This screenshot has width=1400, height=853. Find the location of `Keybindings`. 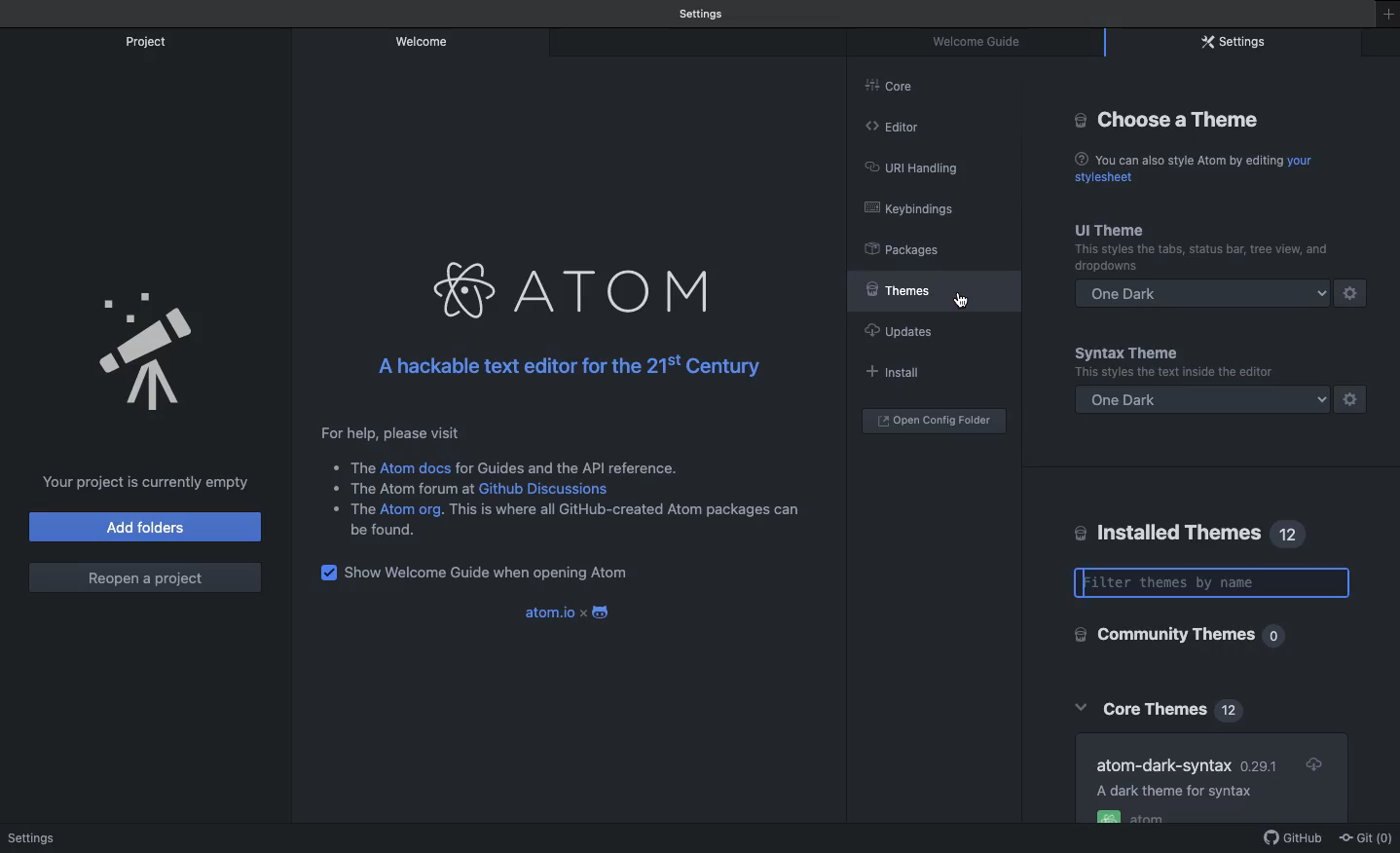

Keybindings is located at coordinates (915, 209).